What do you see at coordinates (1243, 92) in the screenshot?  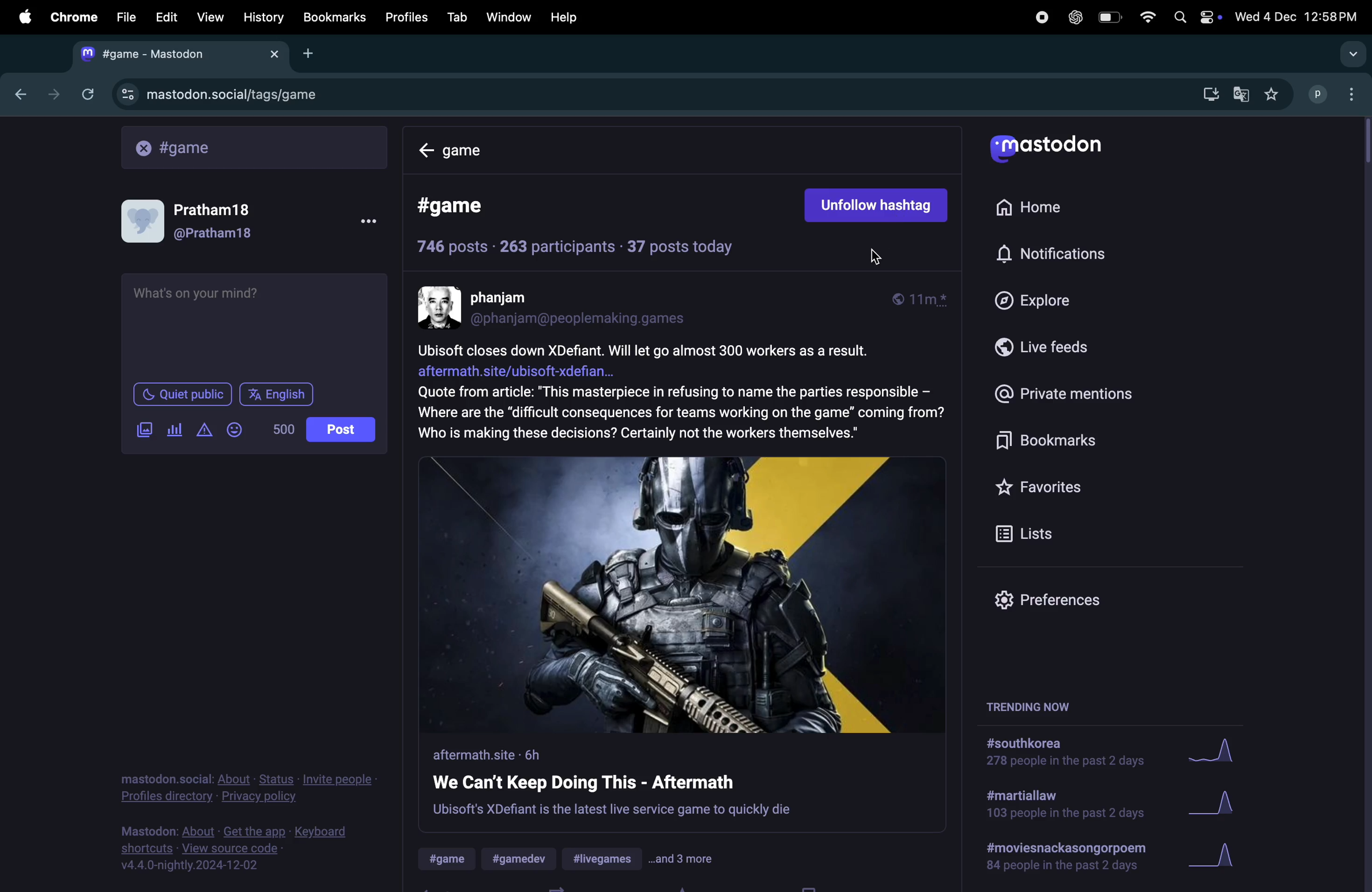 I see `google translate` at bounding box center [1243, 92].